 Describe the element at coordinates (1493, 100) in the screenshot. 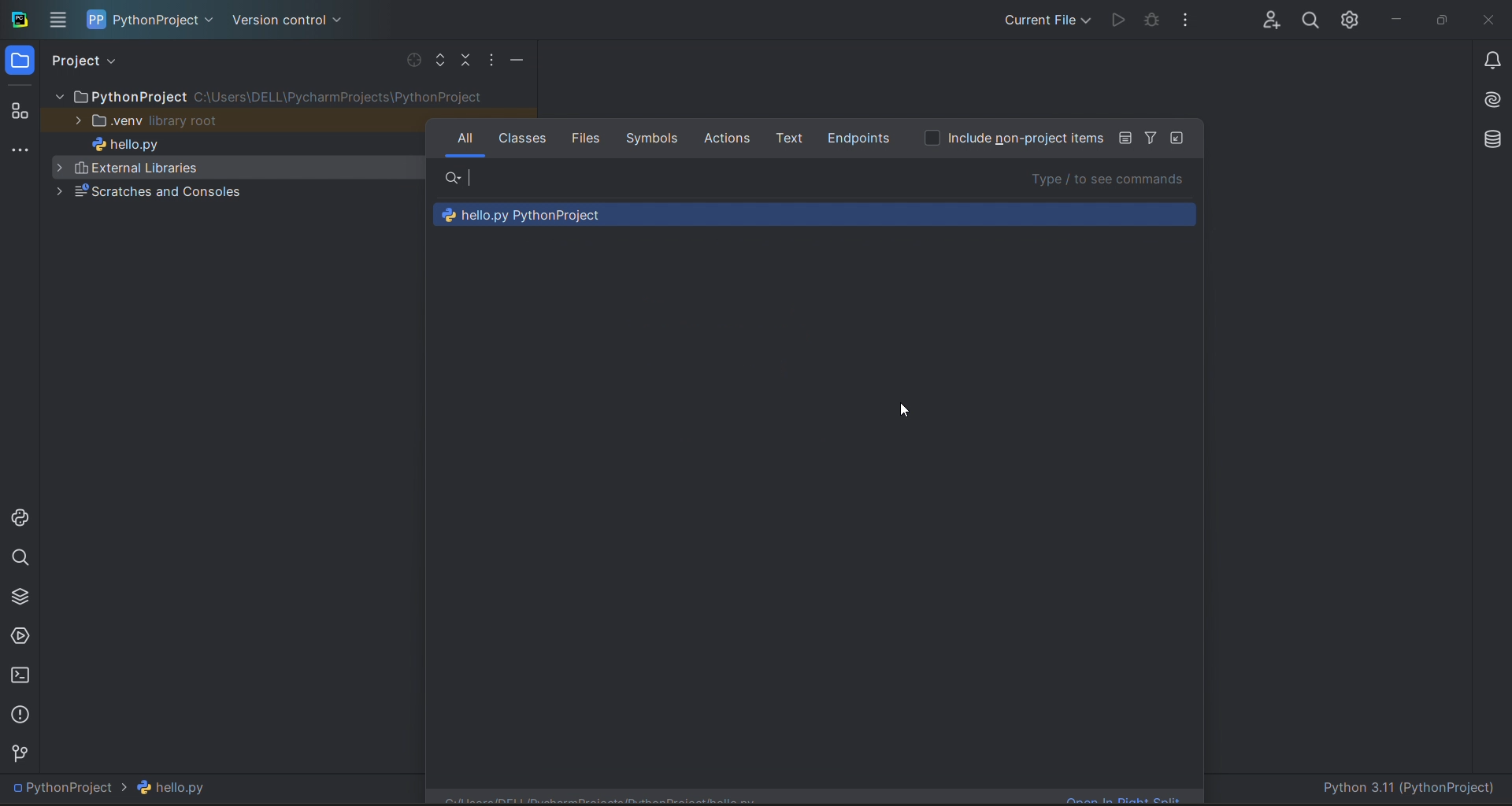

I see `ai assistant` at that location.